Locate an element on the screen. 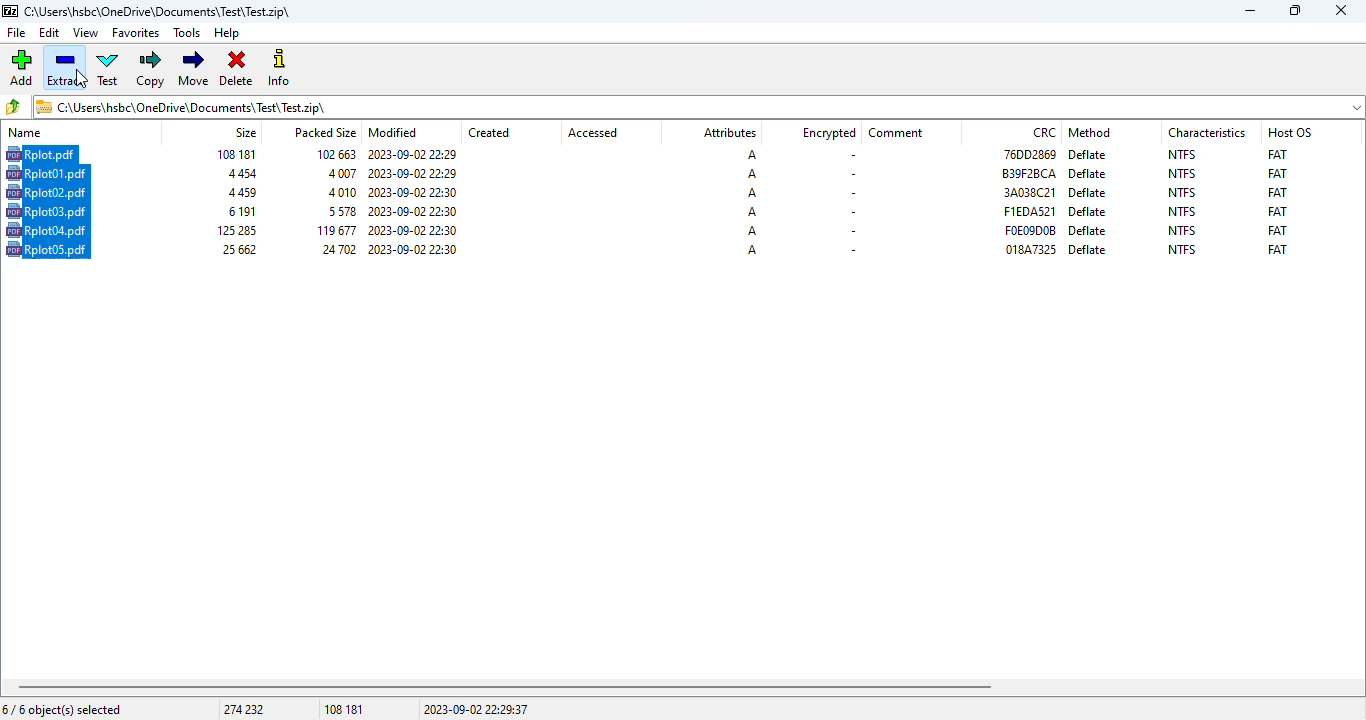 Image resolution: width=1366 pixels, height=720 pixels. CRC is located at coordinates (1029, 173).